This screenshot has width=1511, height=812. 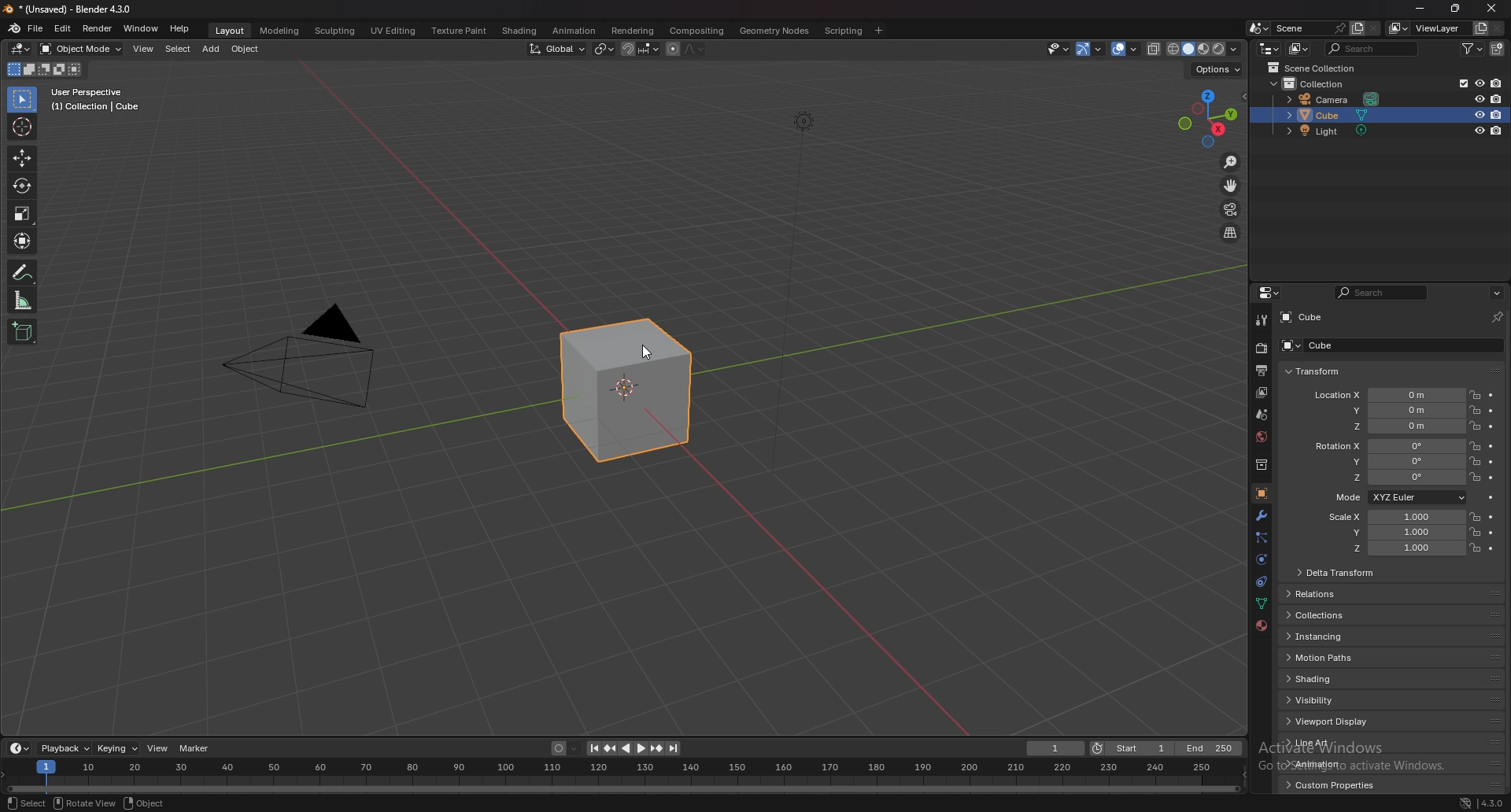 I want to click on texture paint, so click(x=461, y=31).